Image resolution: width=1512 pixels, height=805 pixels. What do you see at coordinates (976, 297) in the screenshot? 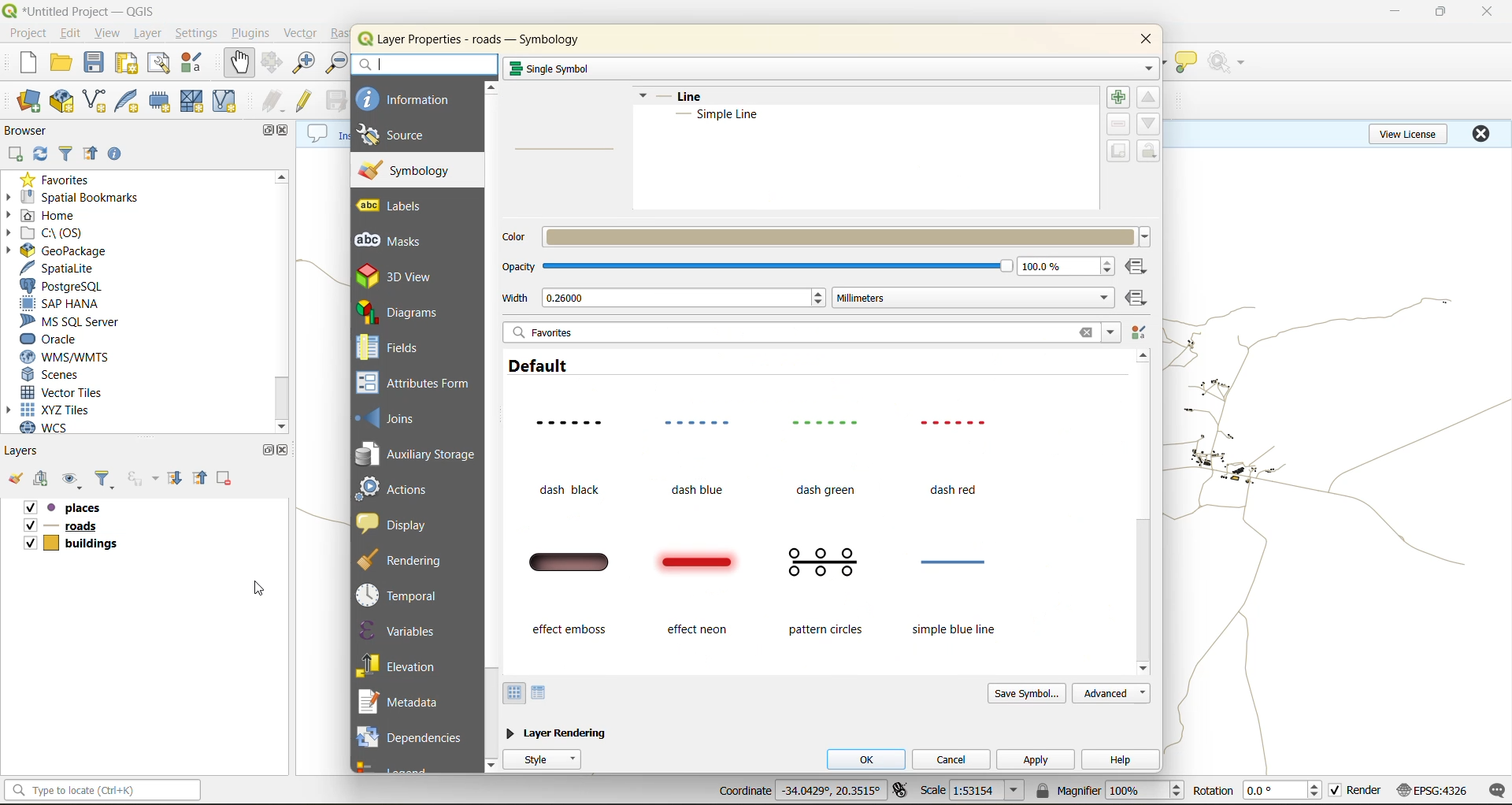
I see `millimeters` at bounding box center [976, 297].